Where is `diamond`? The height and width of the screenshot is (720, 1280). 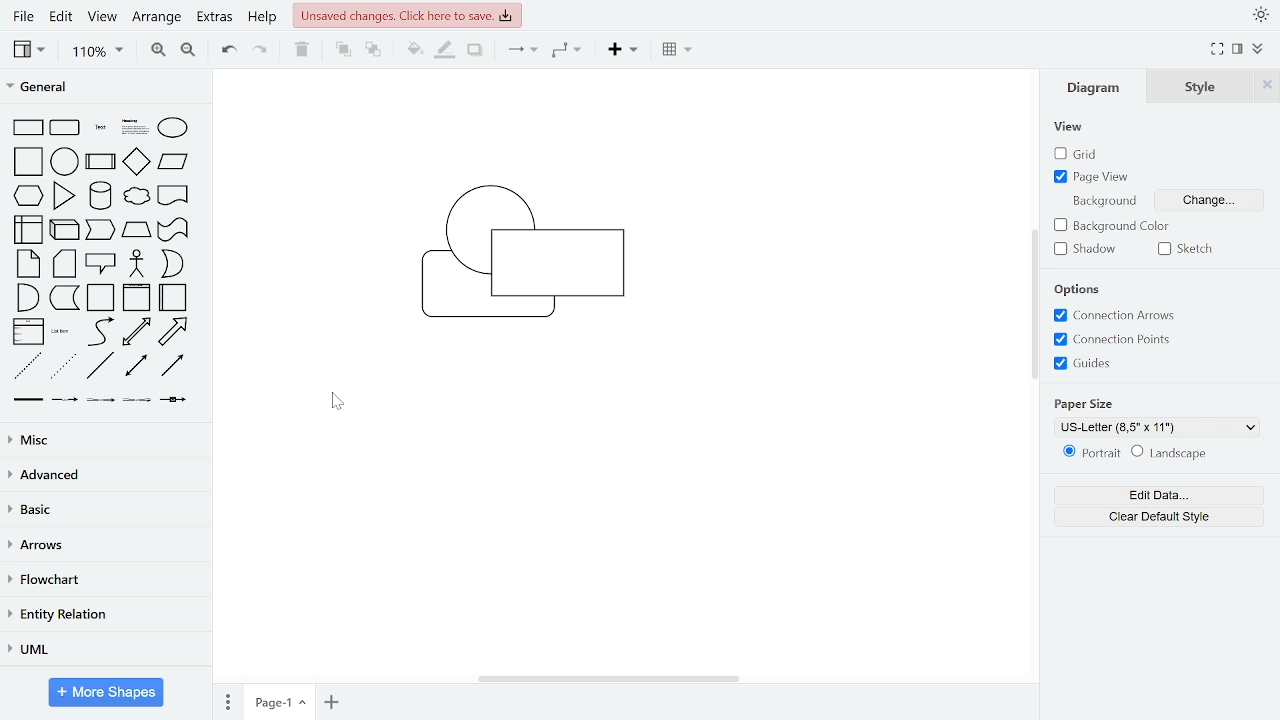
diamond is located at coordinates (136, 162).